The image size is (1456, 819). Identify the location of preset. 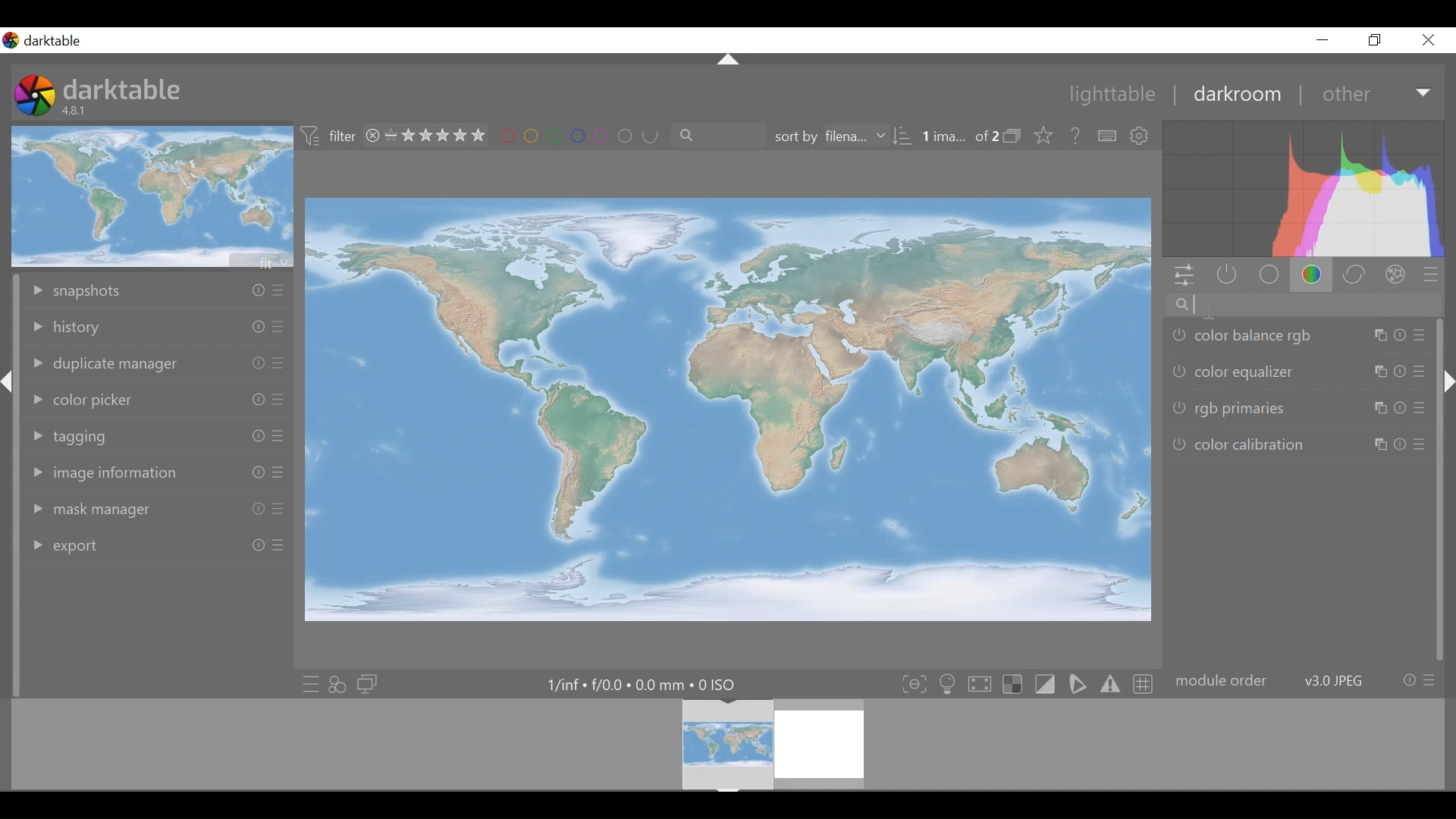
(1431, 274).